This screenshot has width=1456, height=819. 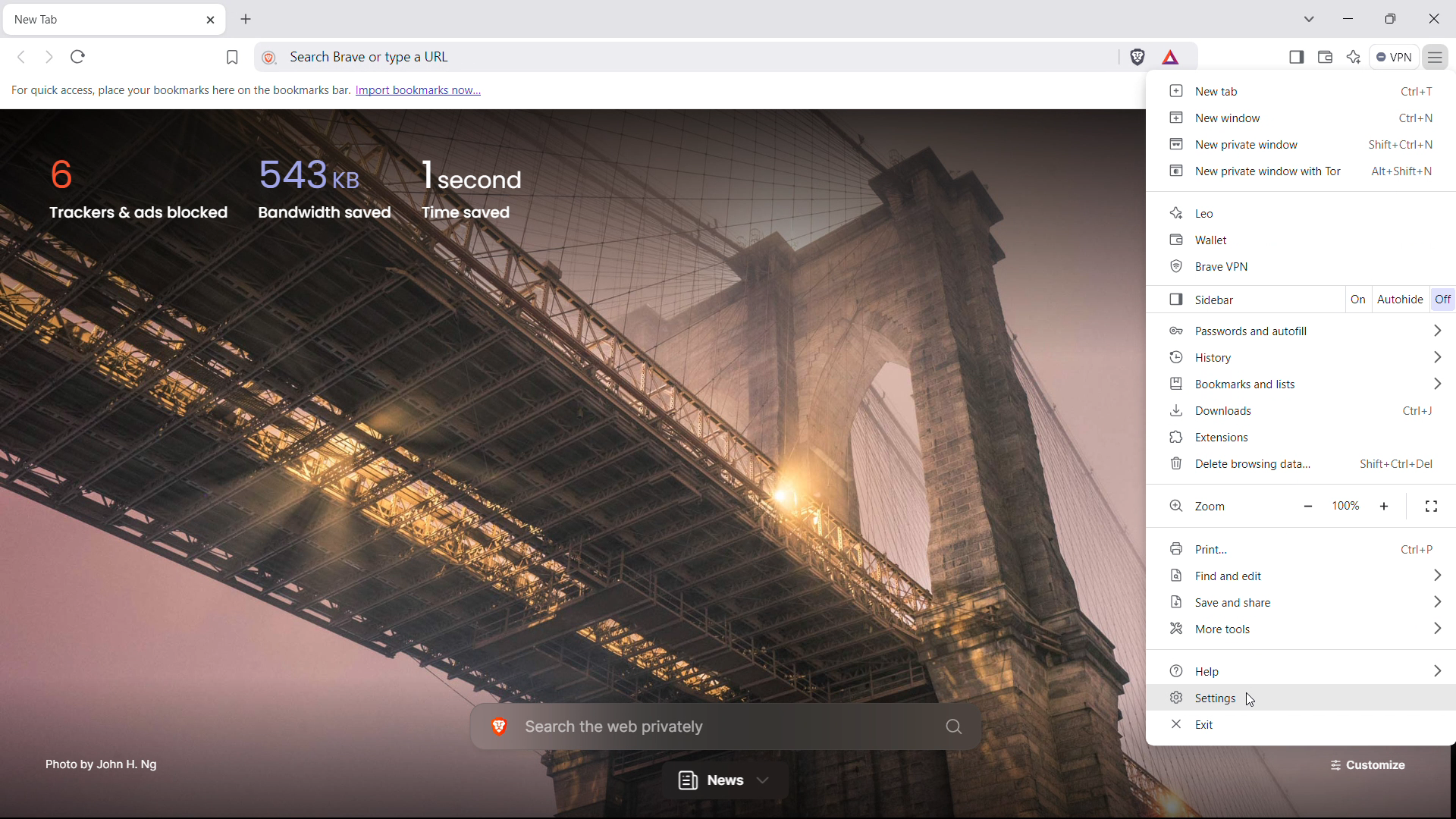 What do you see at coordinates (1299, 171) in the screenshot?
I see `new private window with tor` at bounding box center [1299, 171].